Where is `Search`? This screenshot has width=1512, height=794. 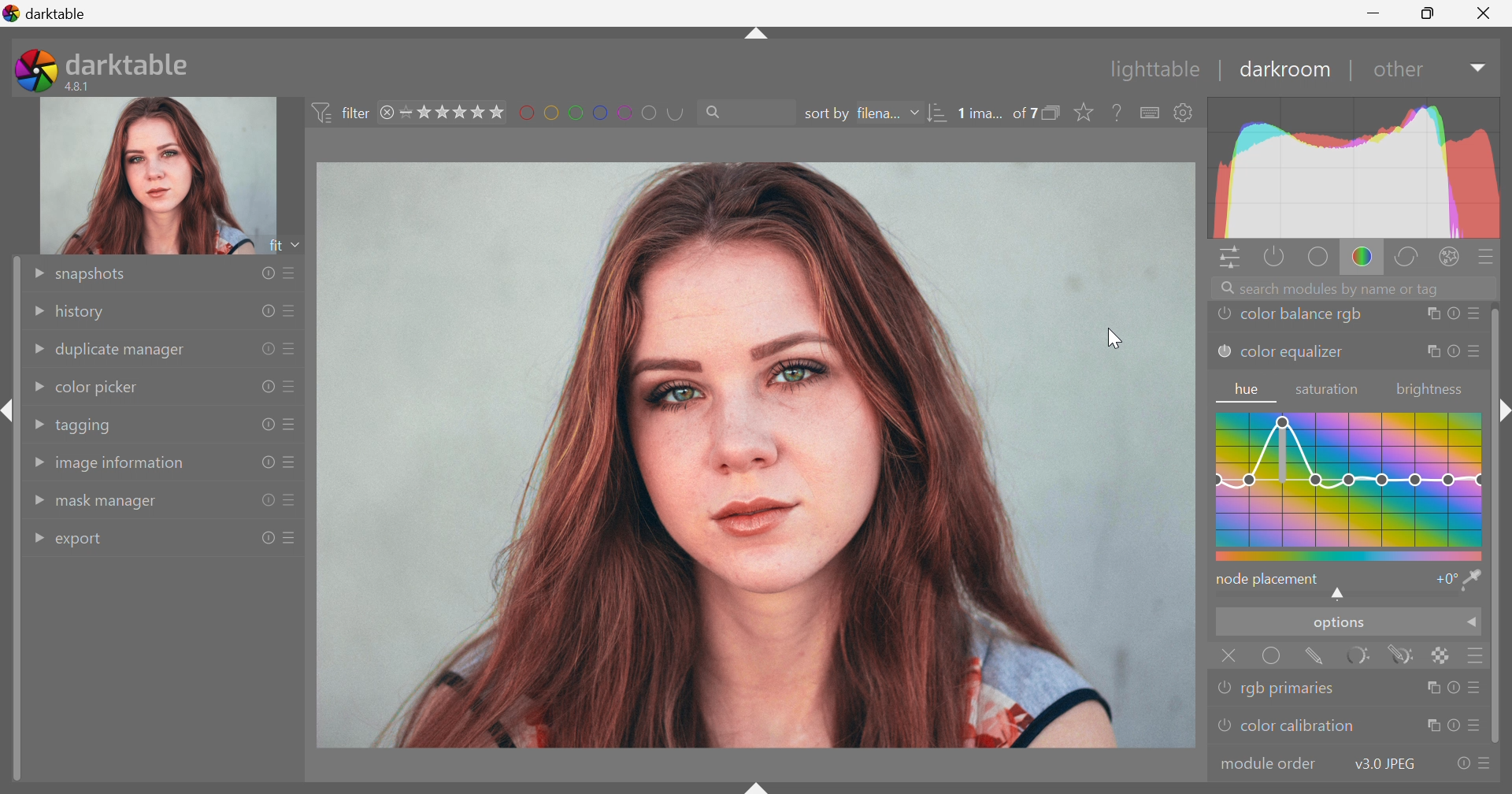 Search is located at coordinates (720, 113).